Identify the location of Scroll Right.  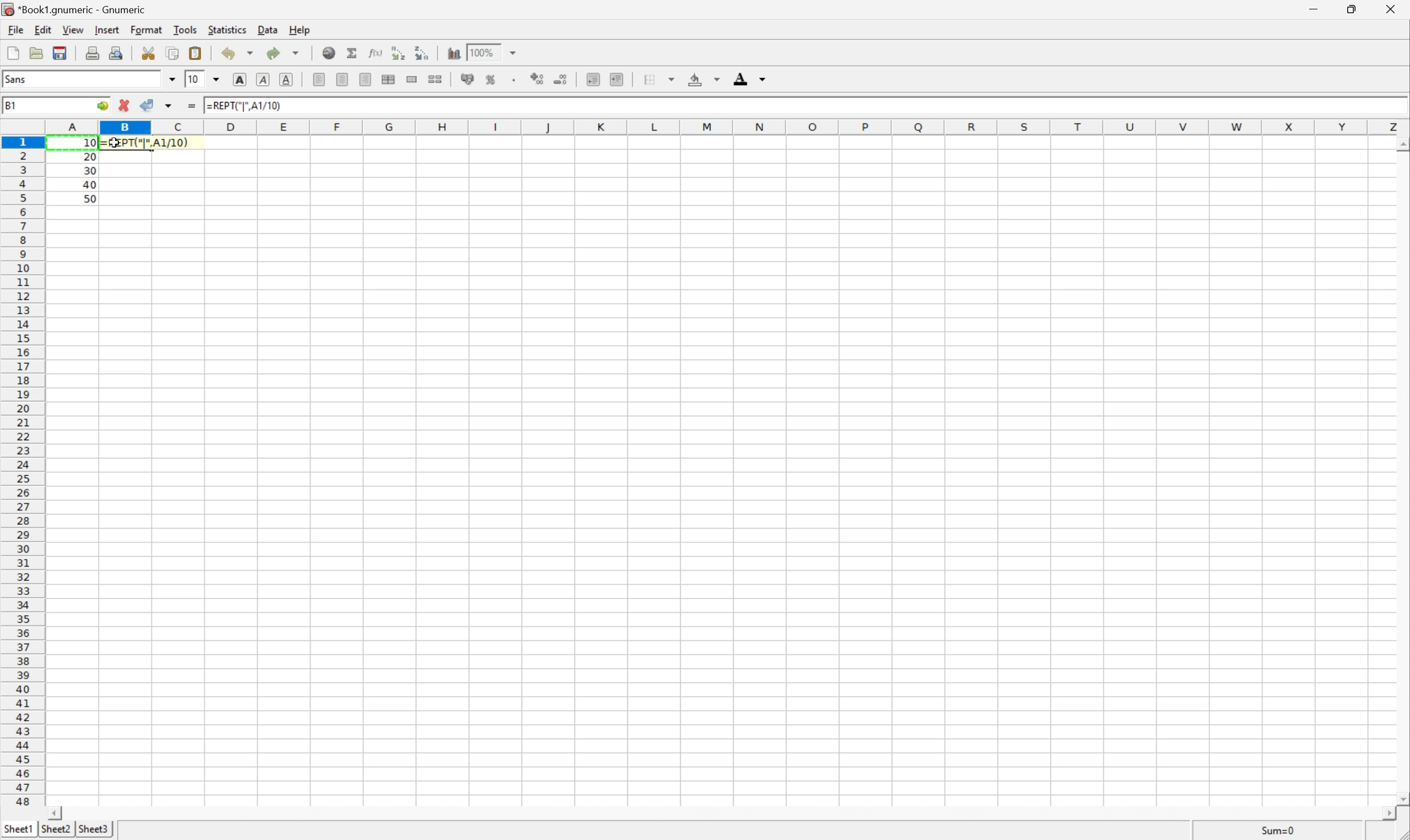
(1388, 813).